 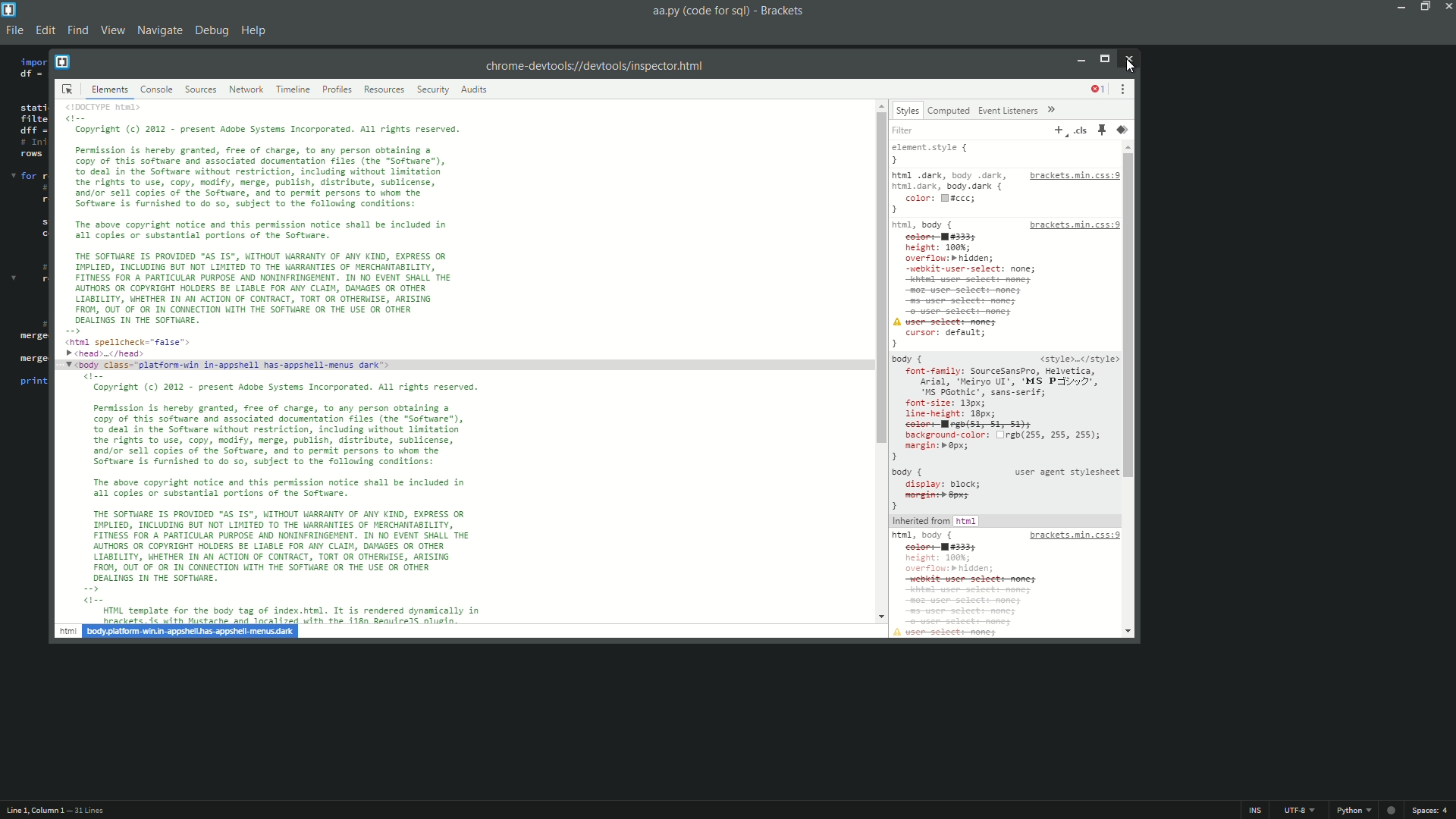 I want to click on network, so click(x=246, y=89).